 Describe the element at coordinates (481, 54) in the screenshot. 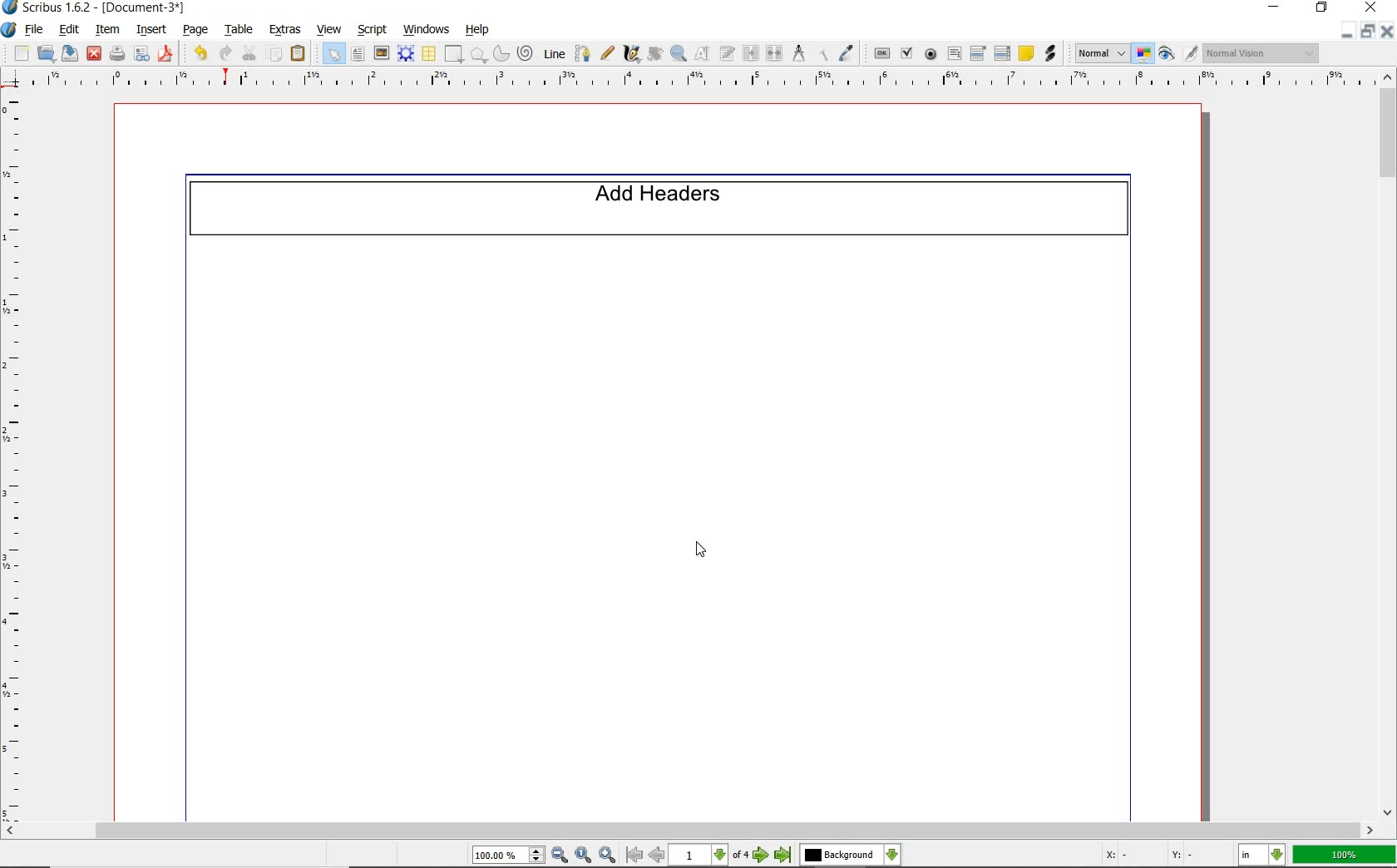

I see `polygon` at that location.